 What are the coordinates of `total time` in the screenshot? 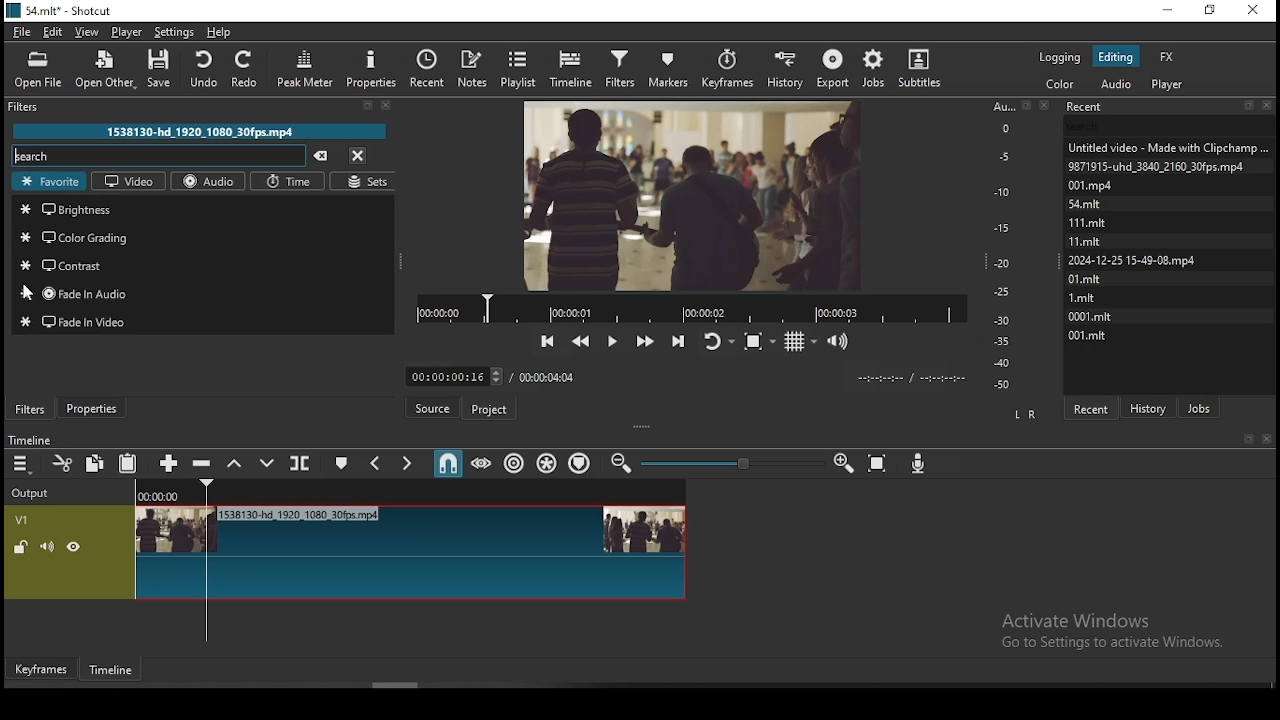 It's located at (548, 376).